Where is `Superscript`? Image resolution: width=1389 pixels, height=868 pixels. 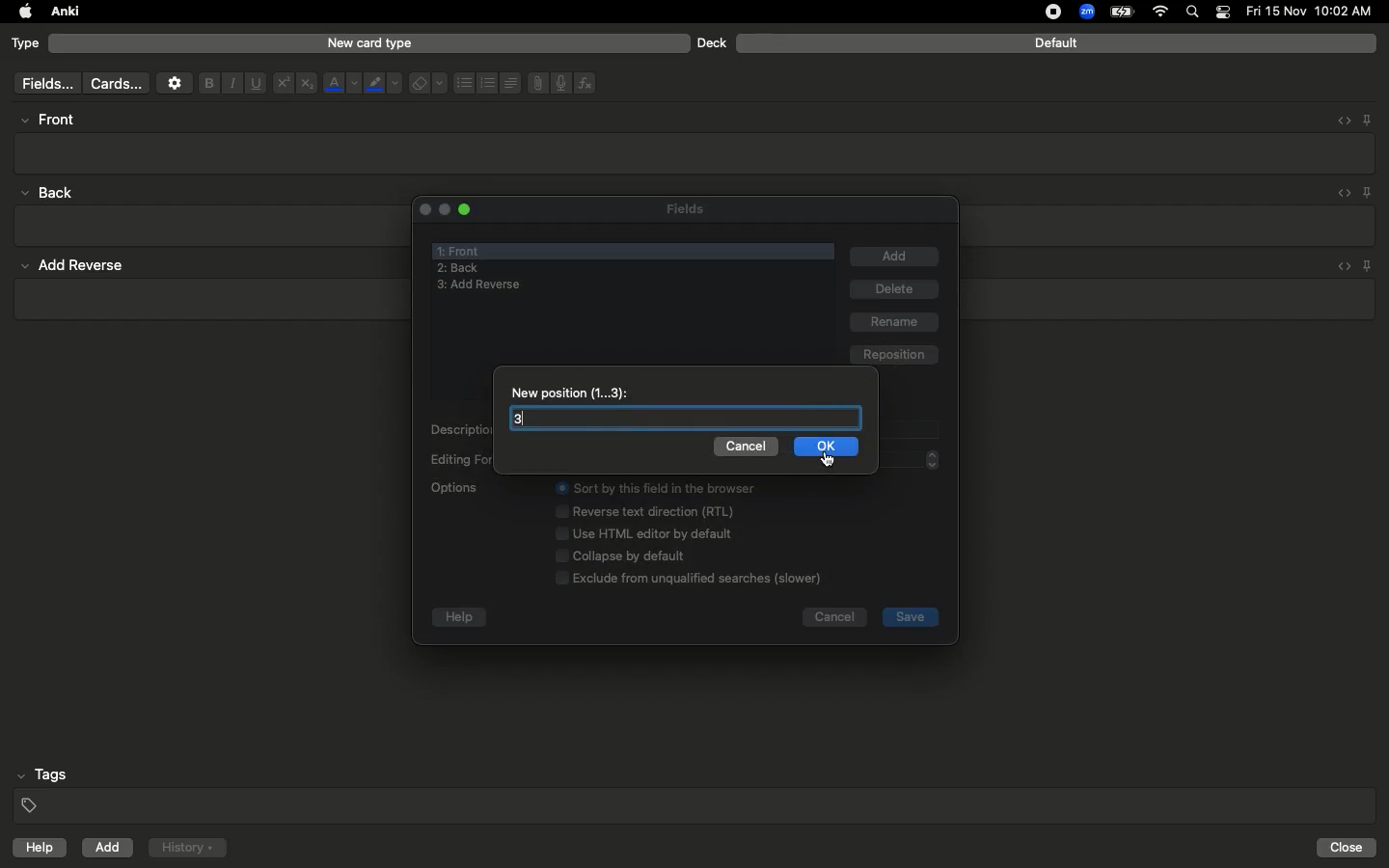 Superscript is located at coordinates (282, 84).